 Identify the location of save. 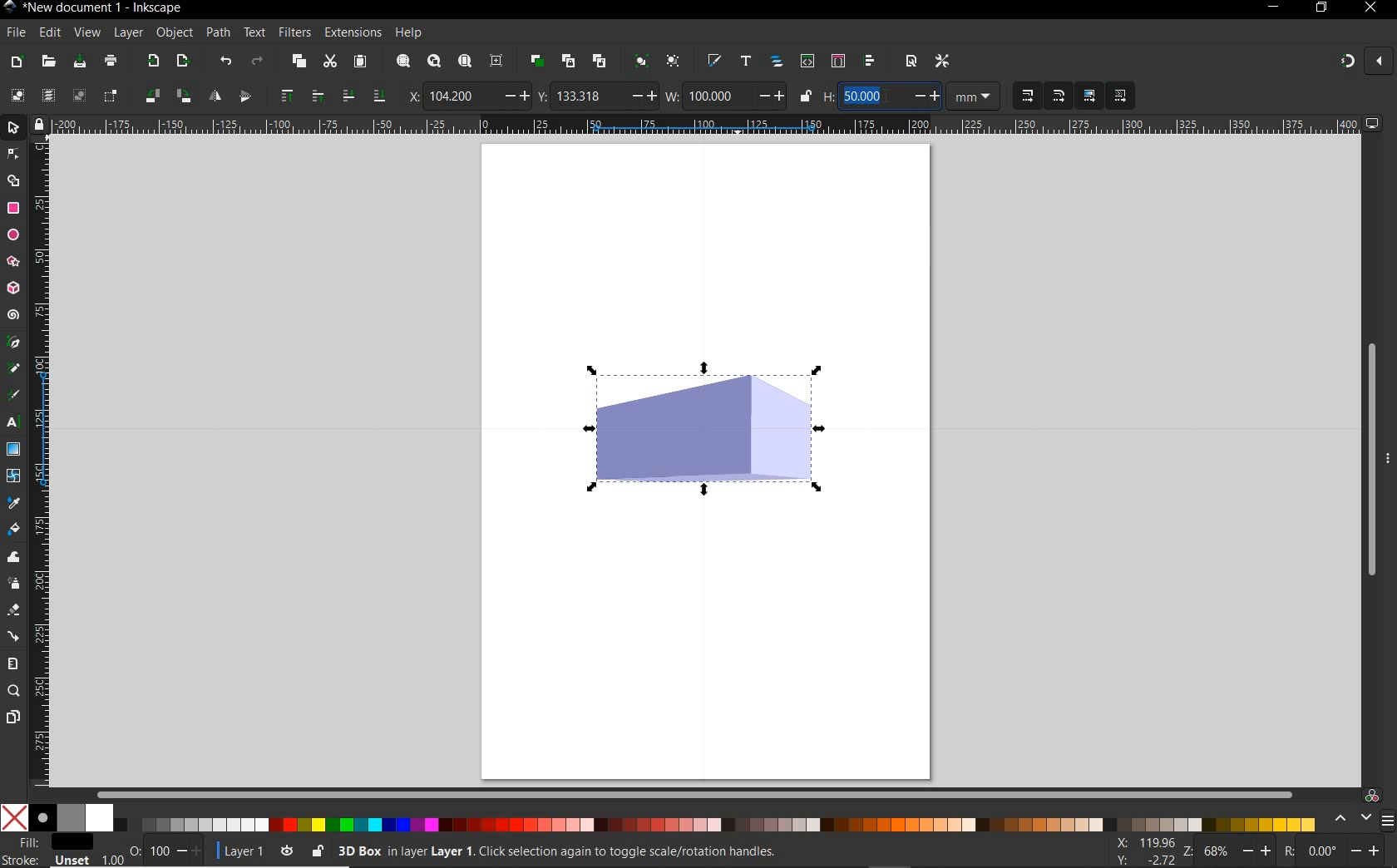
(79, 61).